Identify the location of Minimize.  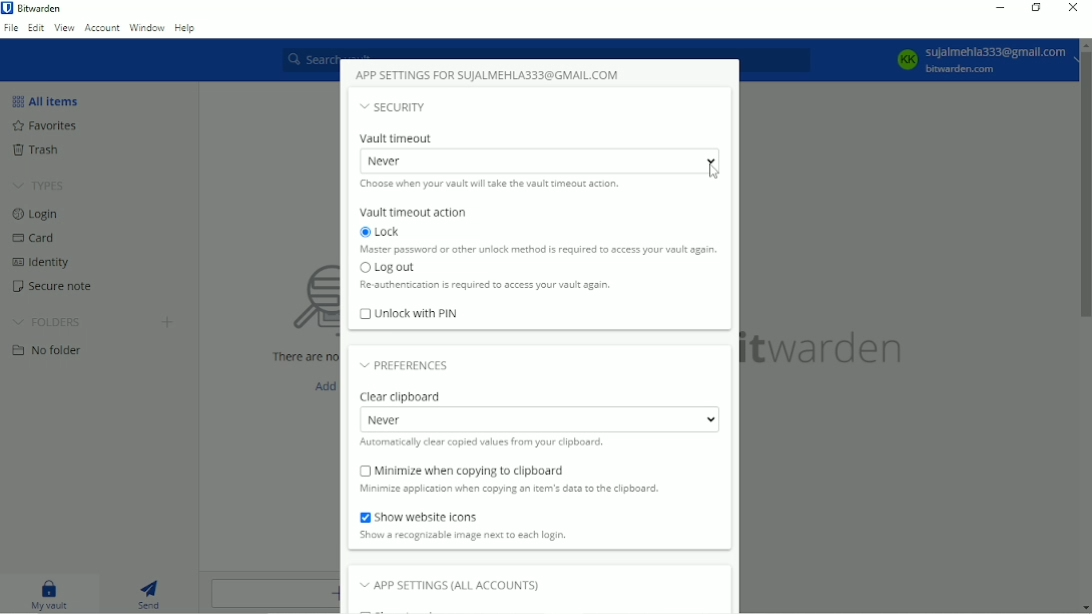
(1001, 8).